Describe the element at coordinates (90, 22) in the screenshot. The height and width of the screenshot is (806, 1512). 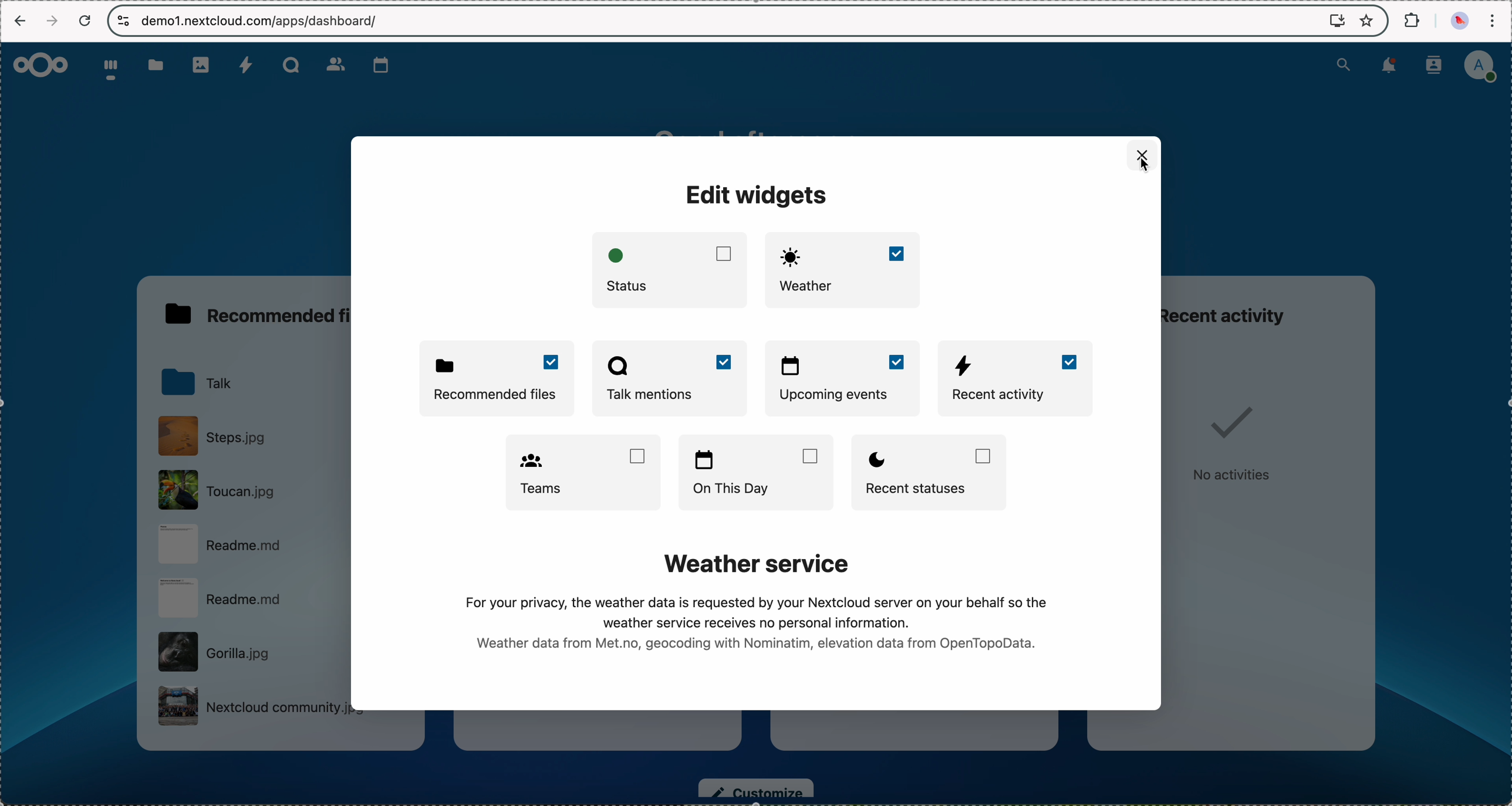
I see `refresh the page` at that location.